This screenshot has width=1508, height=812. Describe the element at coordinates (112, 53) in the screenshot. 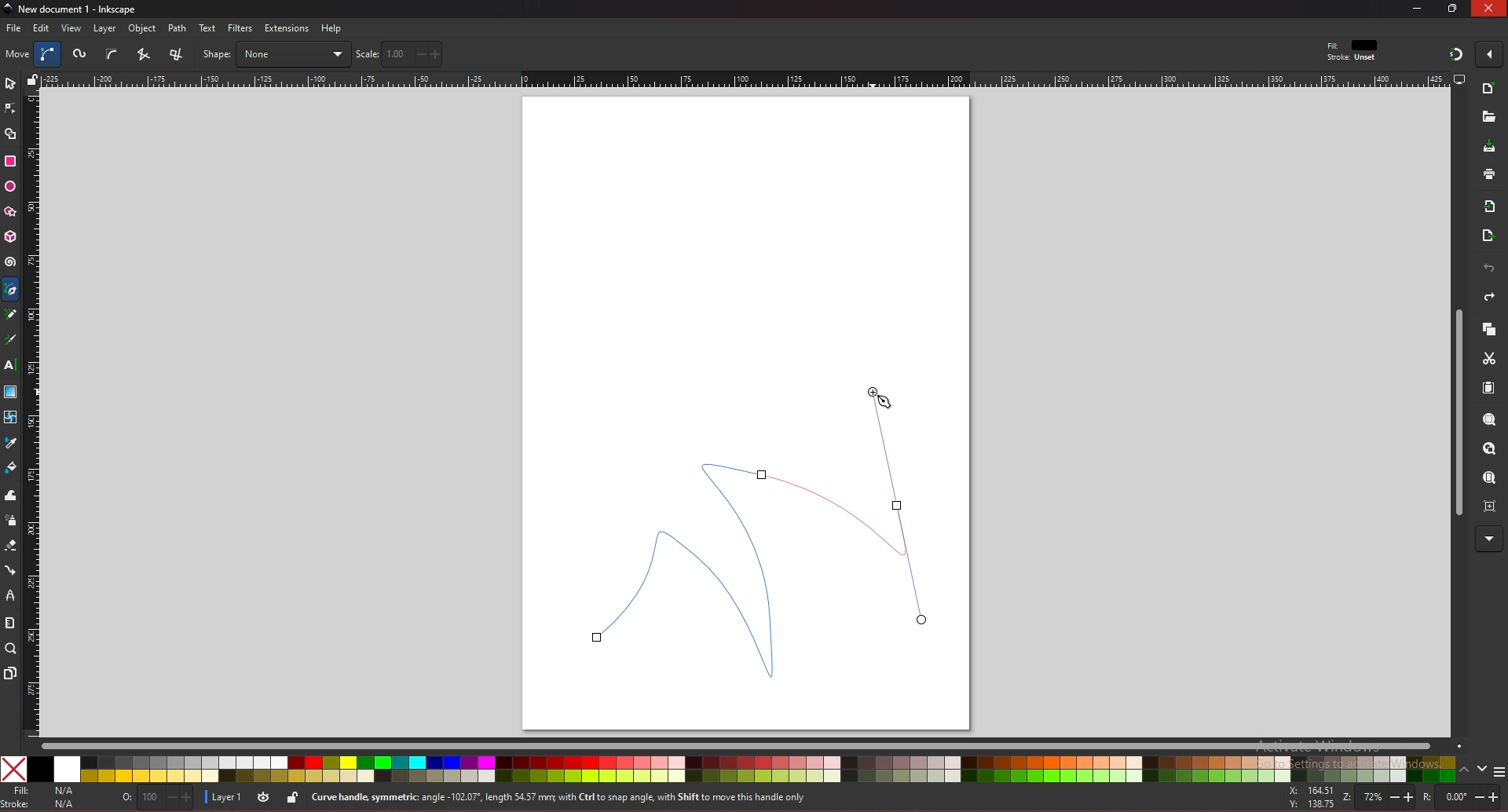

I see `b spline path` at that location.